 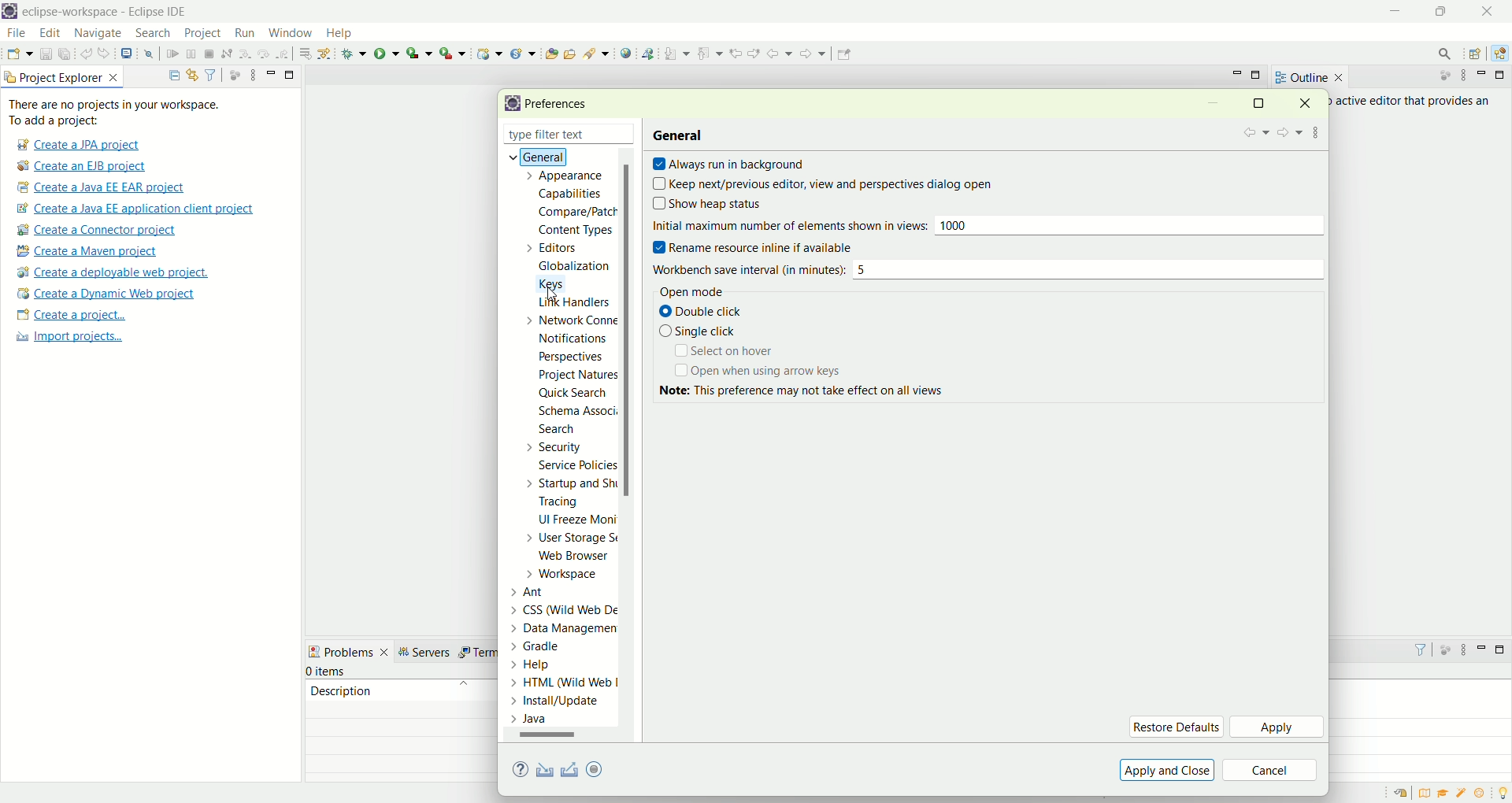 What do you see at coordinates (811, 57) in the screenshot?
I see `forward` at bounding box center [811, 57].